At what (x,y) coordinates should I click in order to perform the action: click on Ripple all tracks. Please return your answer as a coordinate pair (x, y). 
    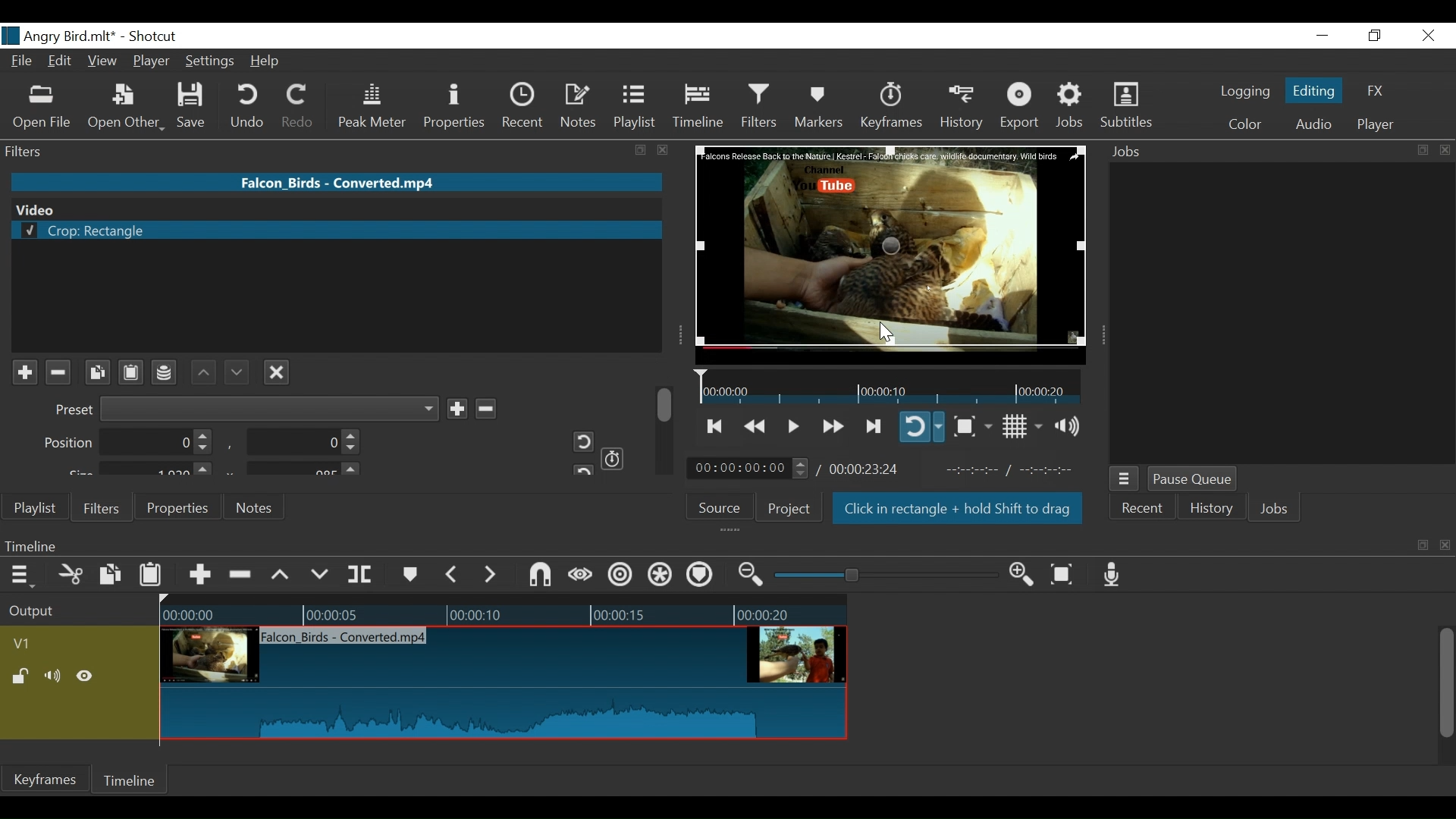
    Looking at the image, I should click on (661, 576).